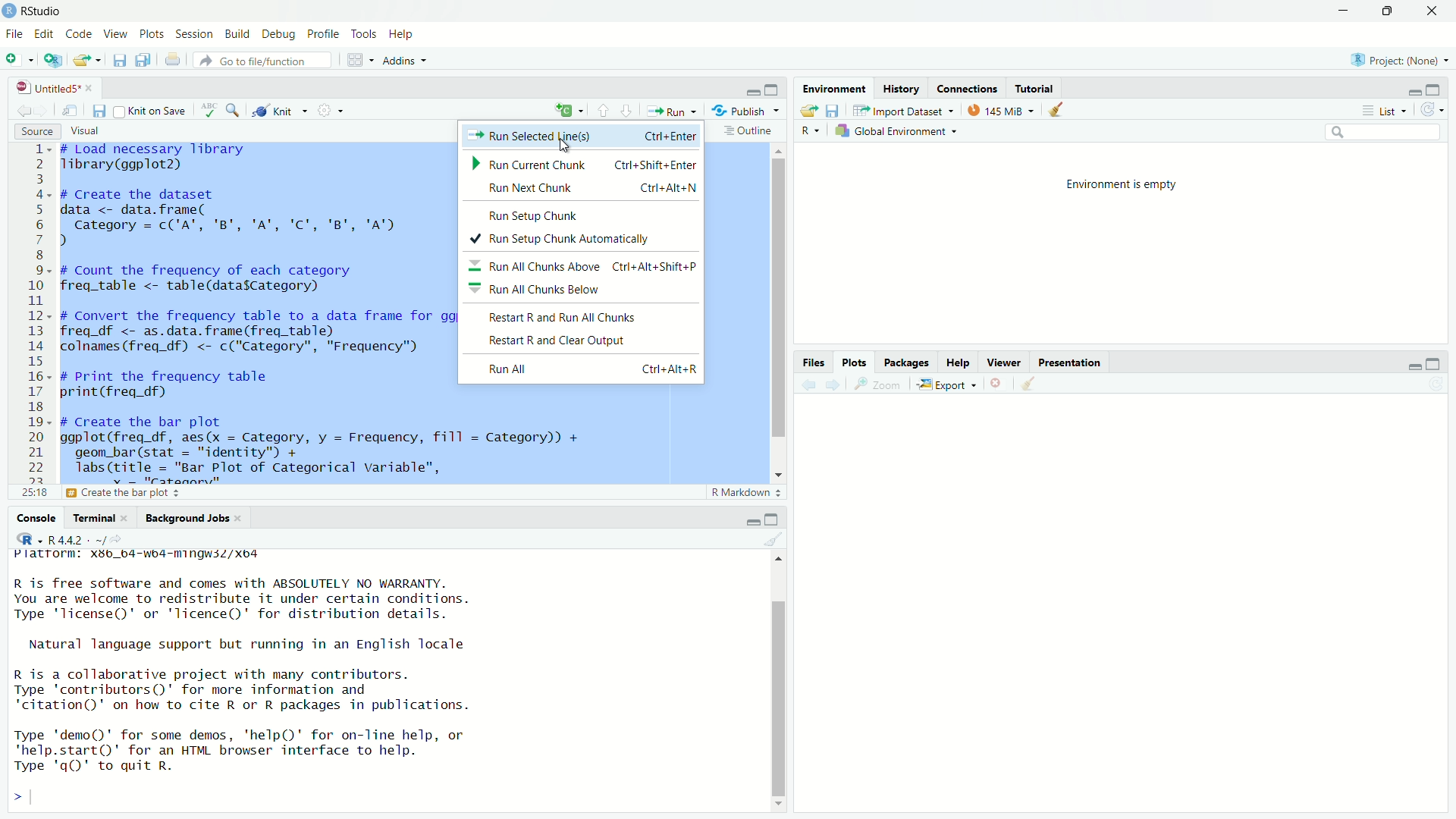  I want to click on maximize, so click(1435, 365).